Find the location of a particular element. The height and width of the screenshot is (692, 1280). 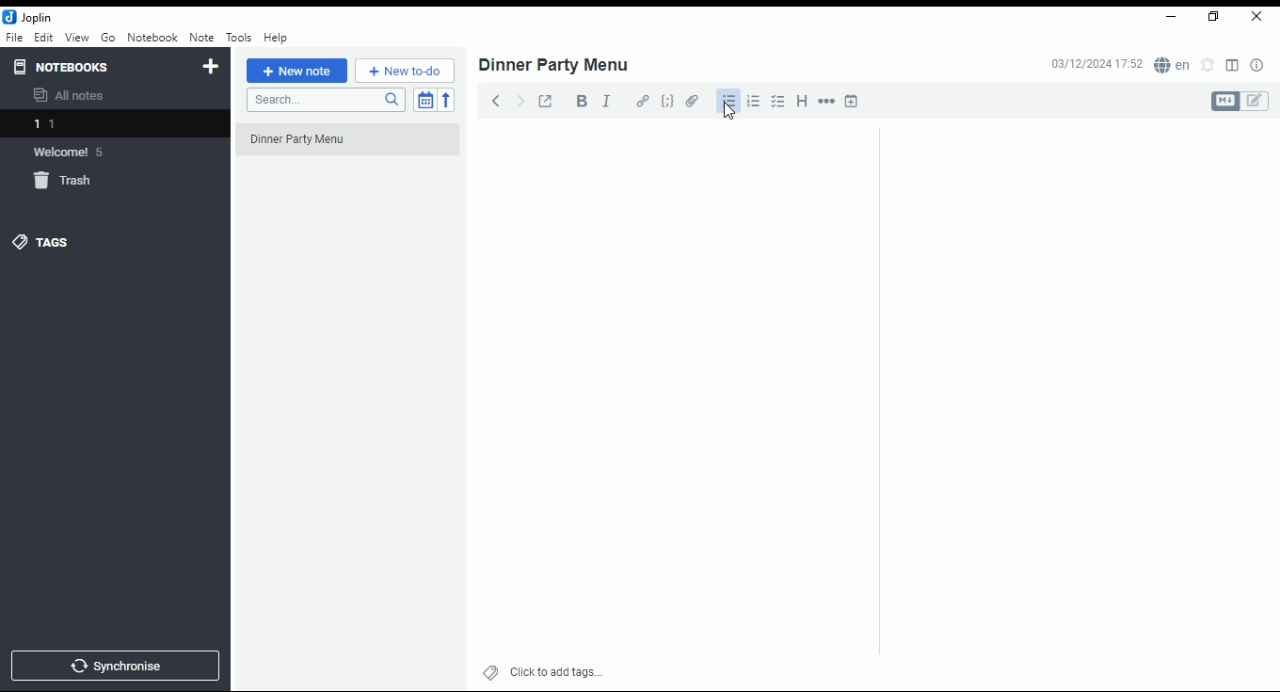

chekbox list is located at coordinates (779, 101).